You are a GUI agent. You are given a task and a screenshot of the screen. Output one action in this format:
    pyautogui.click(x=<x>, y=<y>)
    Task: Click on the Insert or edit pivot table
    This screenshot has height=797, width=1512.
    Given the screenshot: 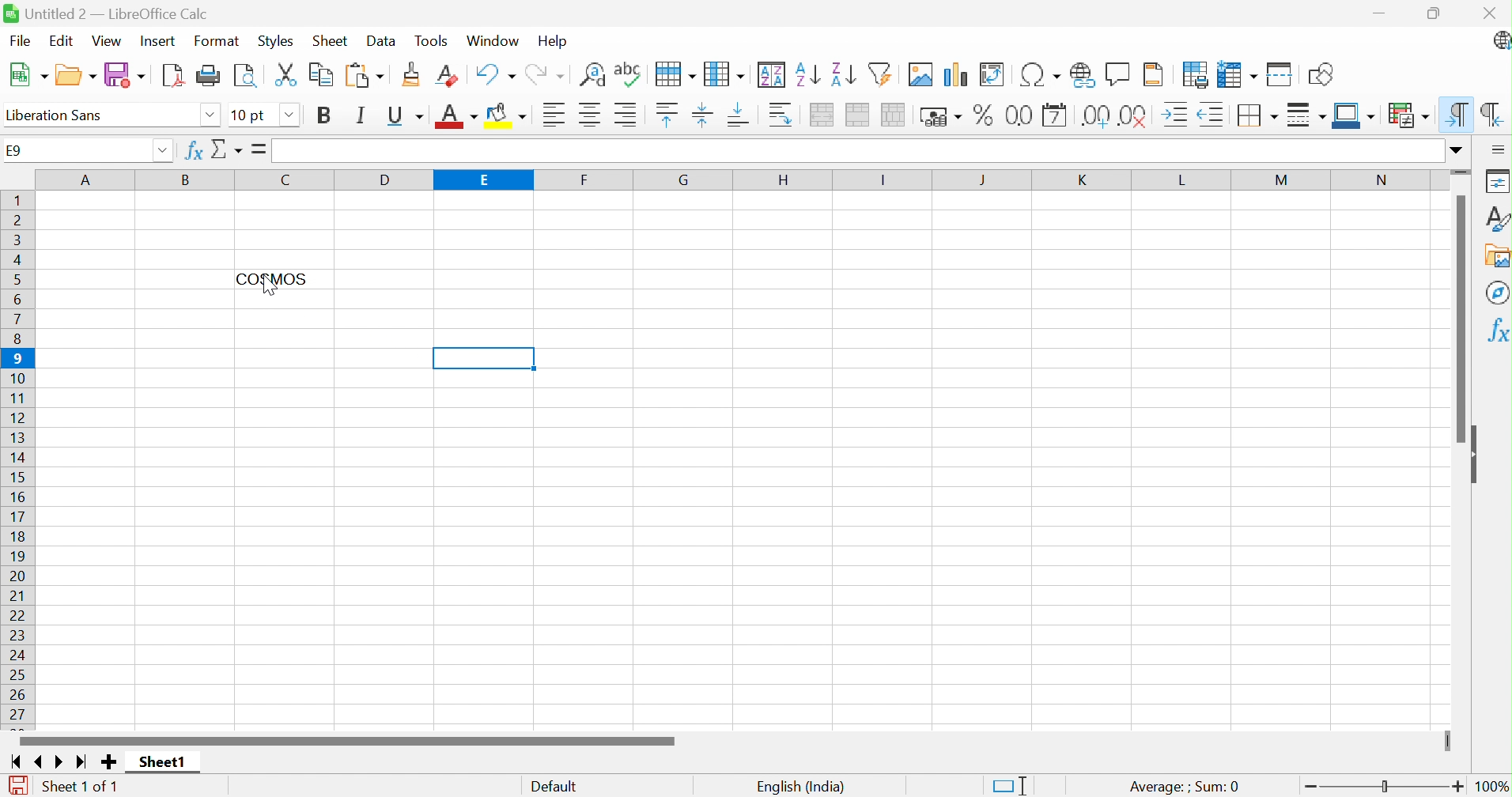 What is the action you would take?
    pyautogui.click(x=992, y=74)
    